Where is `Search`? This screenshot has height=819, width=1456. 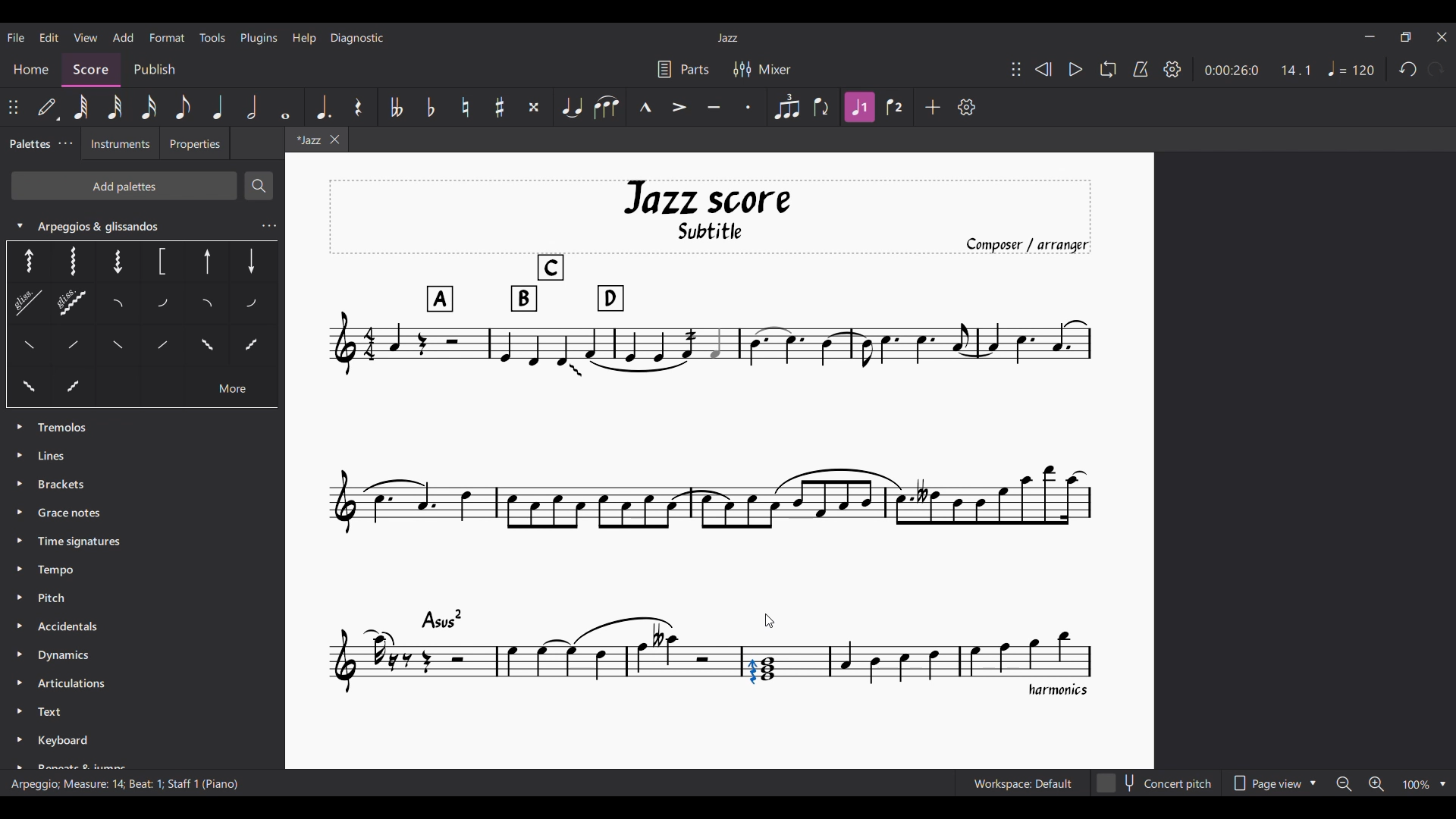
Search is located at coordinates (259, 186).